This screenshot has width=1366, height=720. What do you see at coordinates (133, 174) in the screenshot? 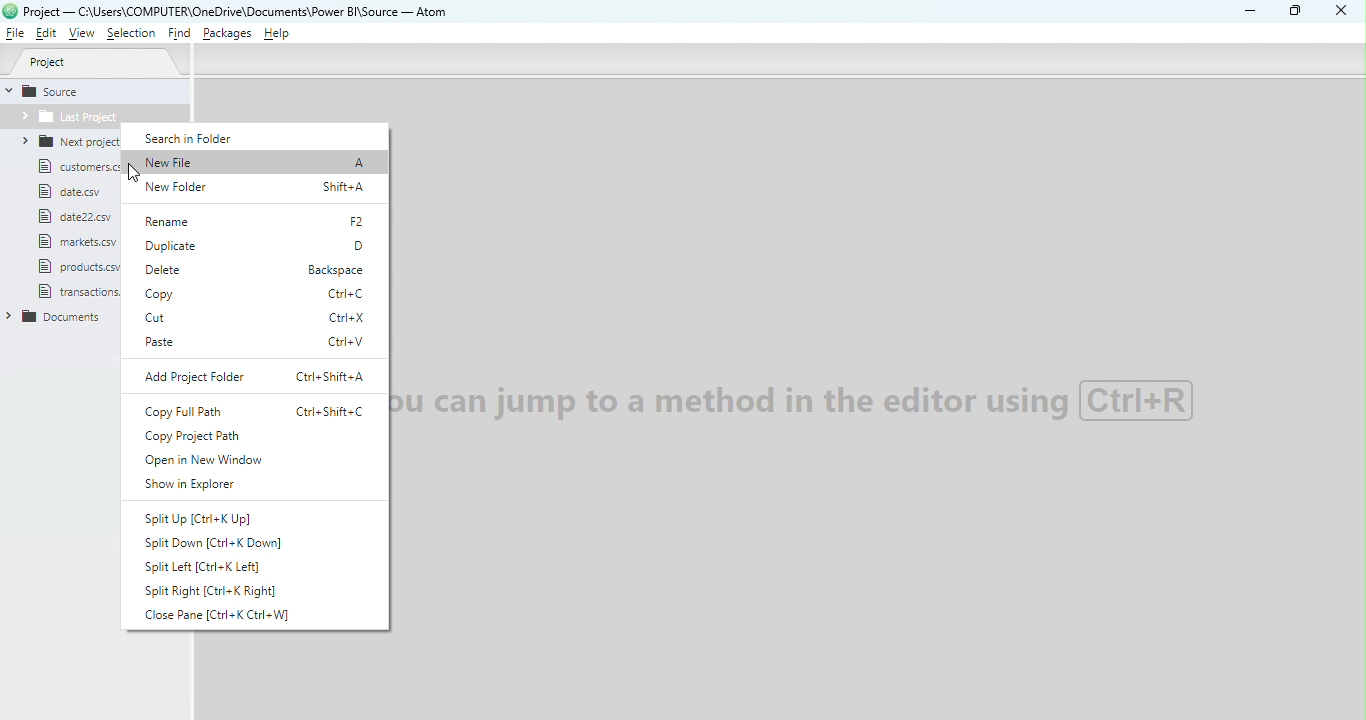
I see `cursor` at bounding box center [133, 174].